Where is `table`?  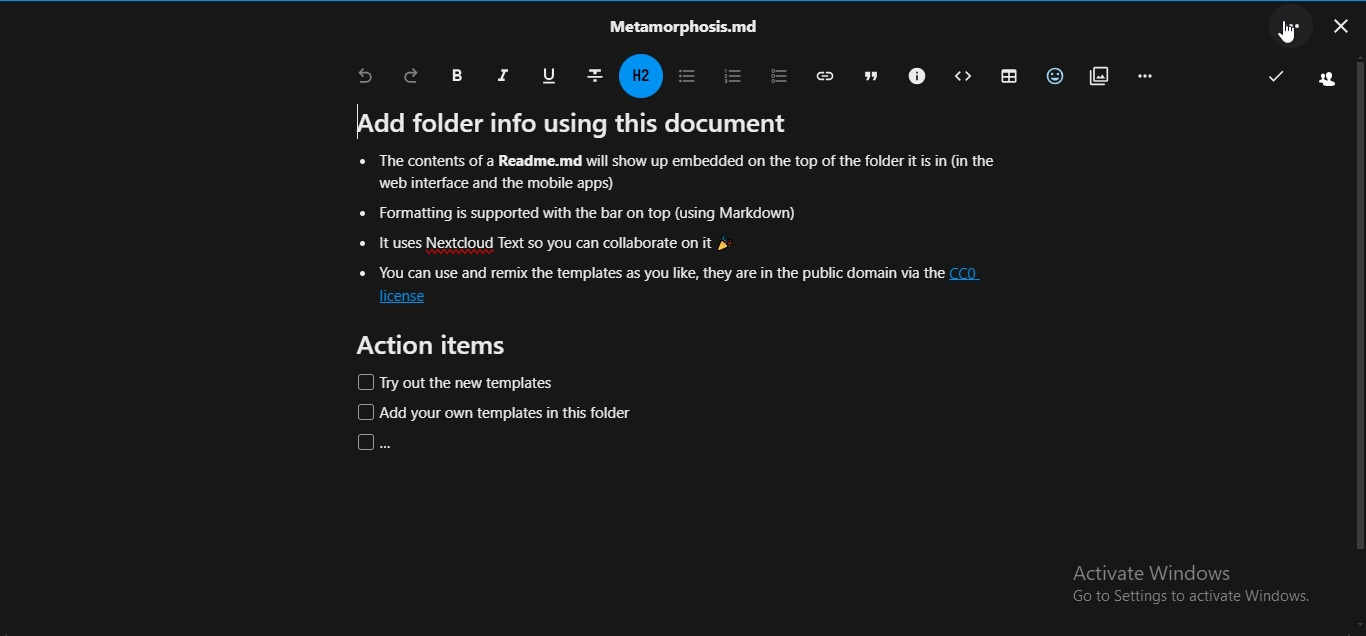
table is located at coordinates (1005, 76).